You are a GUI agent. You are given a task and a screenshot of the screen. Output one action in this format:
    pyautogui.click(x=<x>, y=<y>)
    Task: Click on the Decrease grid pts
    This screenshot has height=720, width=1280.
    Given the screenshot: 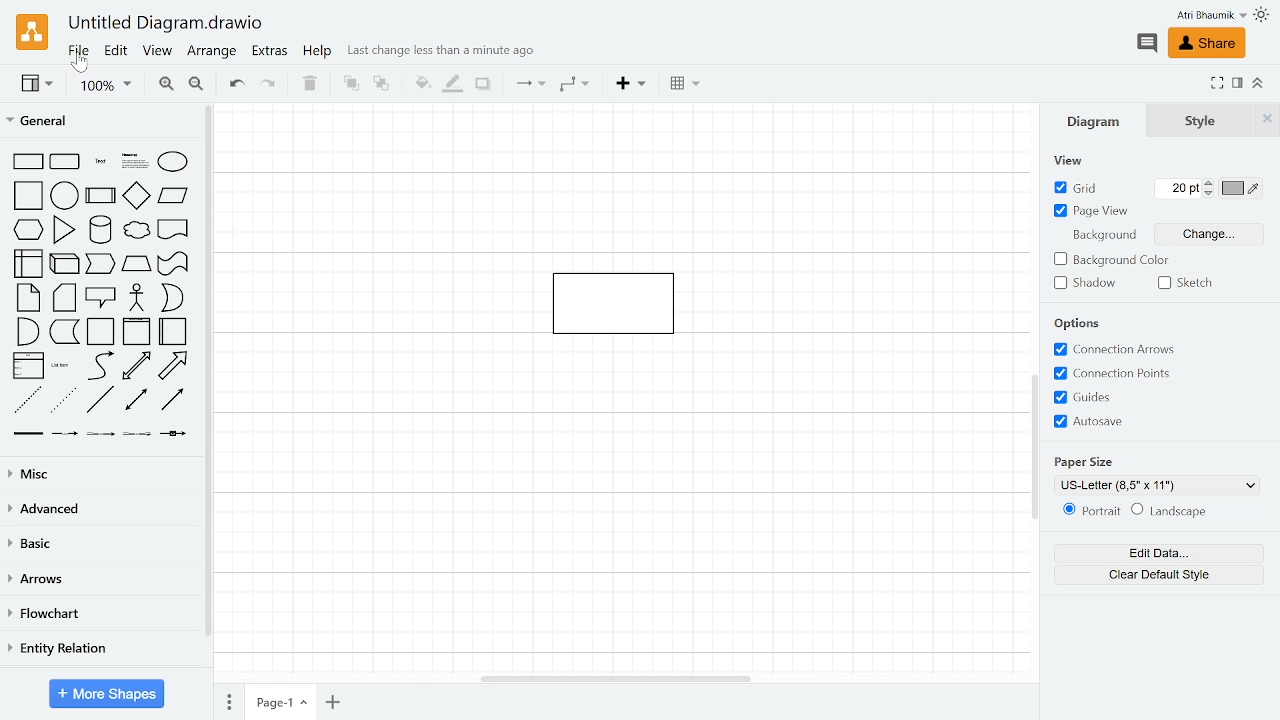 What is the action you would take?
    pyautogui.click(x=1210, y=195)
    